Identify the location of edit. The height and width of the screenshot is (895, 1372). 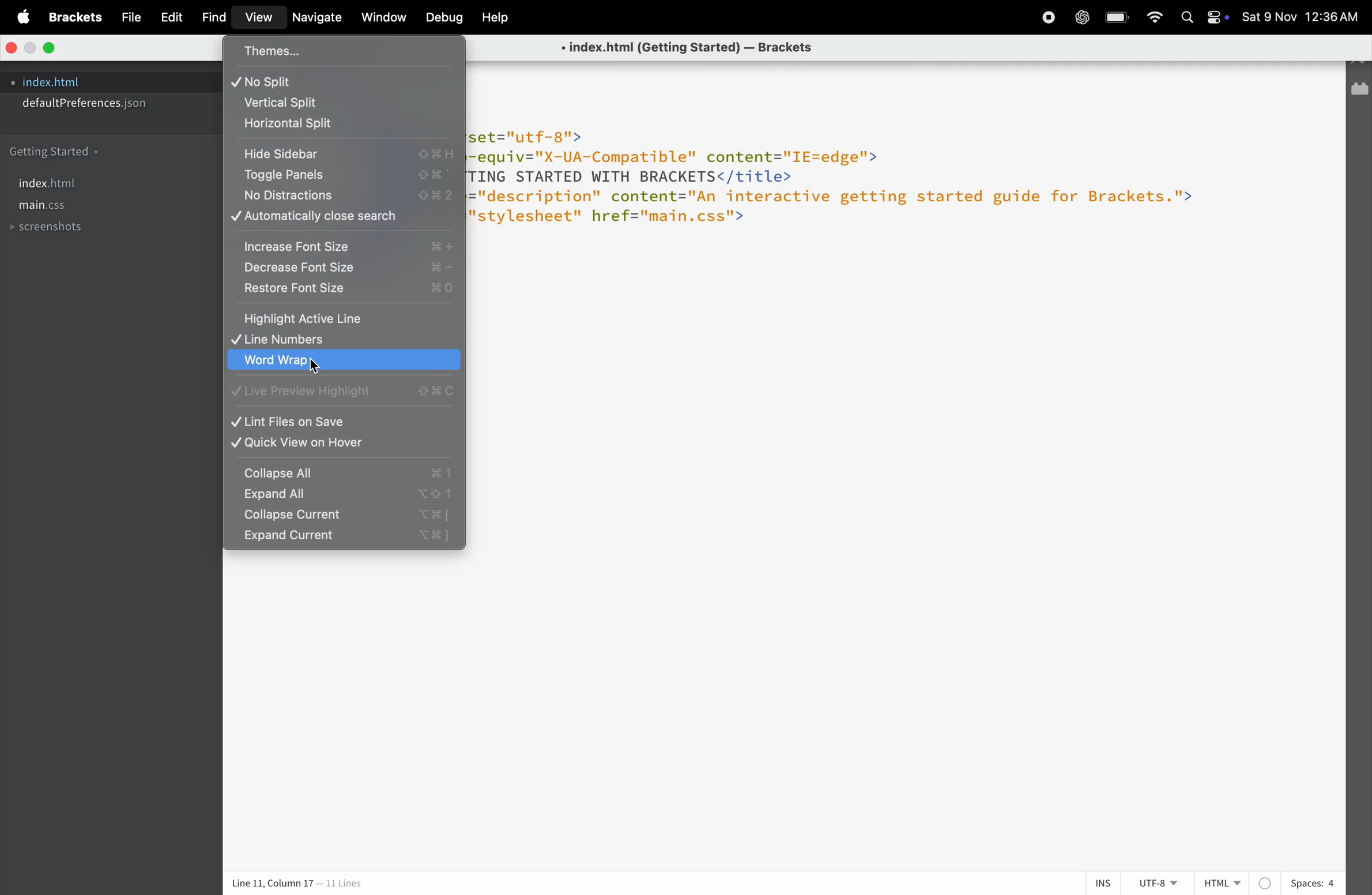
(170, 17).